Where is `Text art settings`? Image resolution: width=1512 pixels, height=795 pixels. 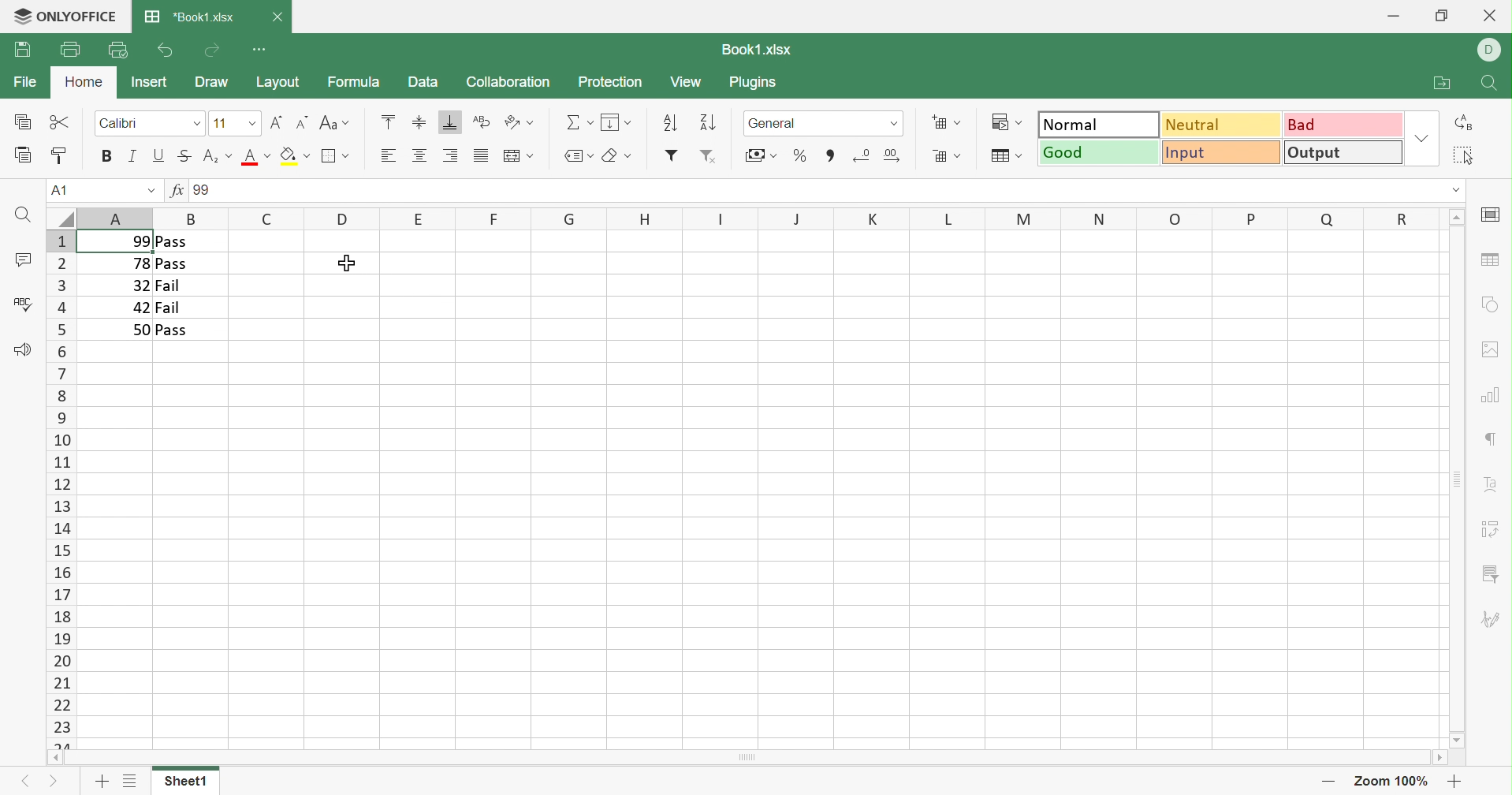 Text art settings is located at coordinates (1492, 484).